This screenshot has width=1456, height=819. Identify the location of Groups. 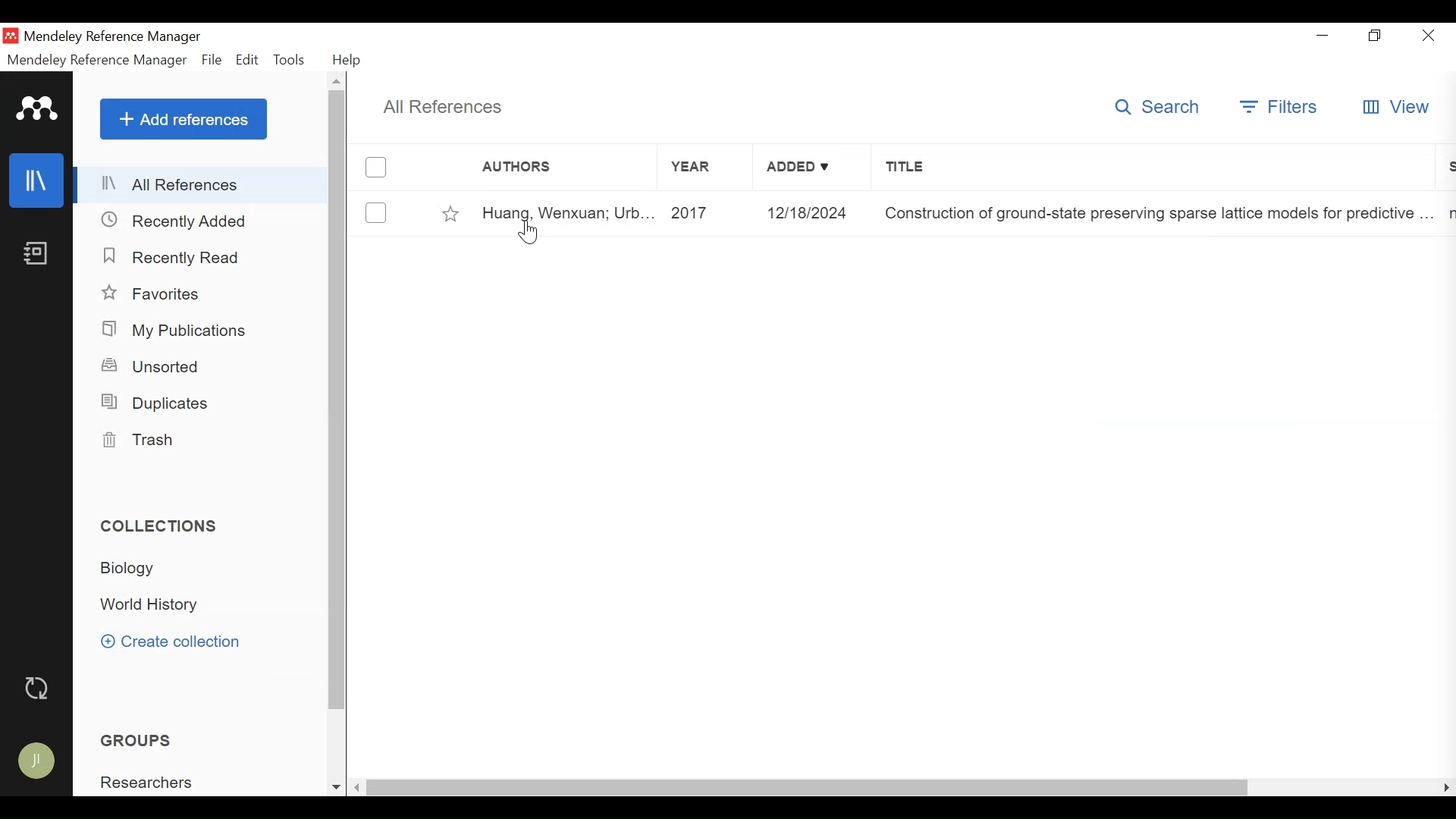
(136, 740).